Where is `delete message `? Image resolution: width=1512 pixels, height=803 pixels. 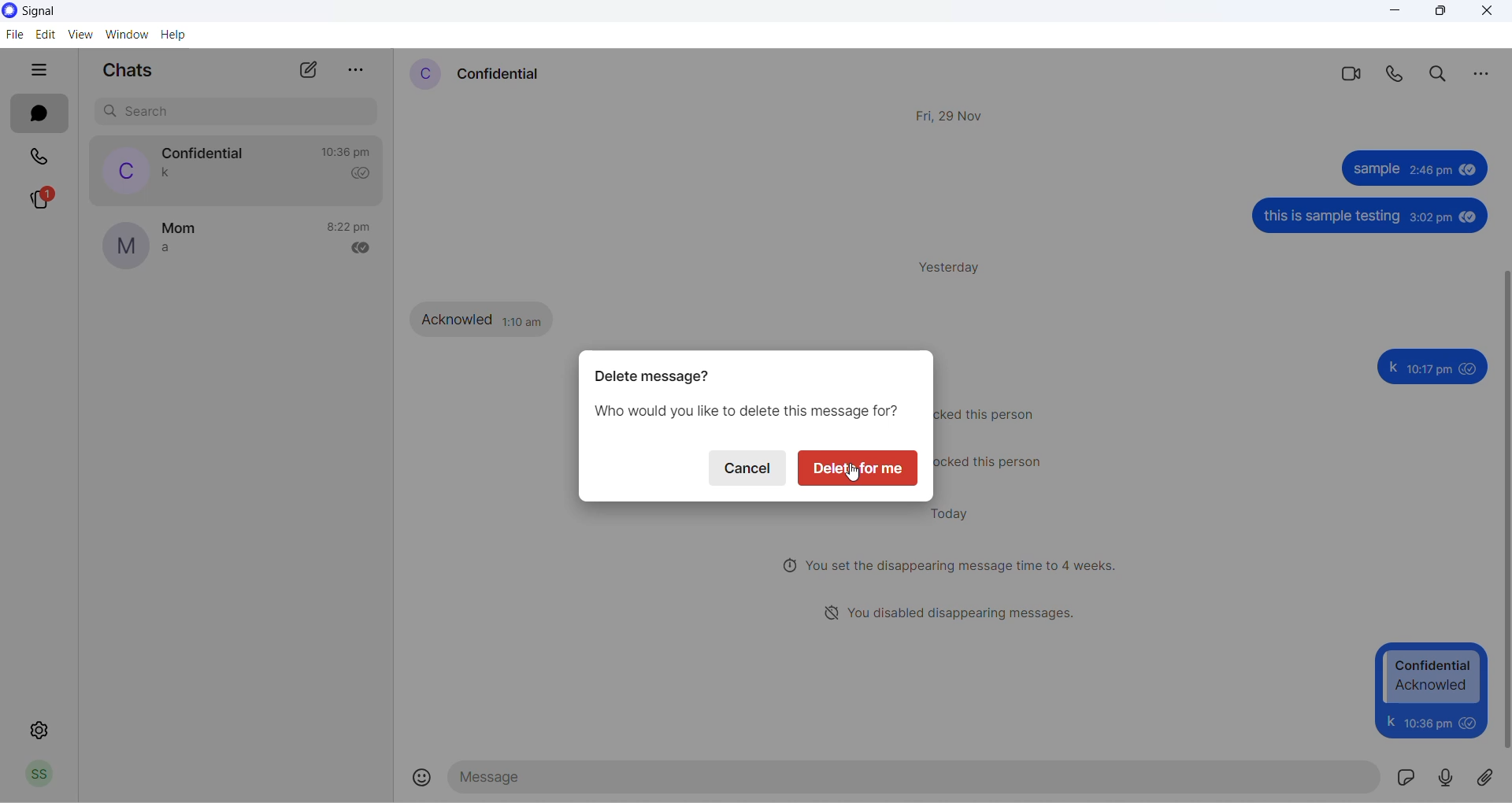 delete message  is located at coordinates (651, 377).